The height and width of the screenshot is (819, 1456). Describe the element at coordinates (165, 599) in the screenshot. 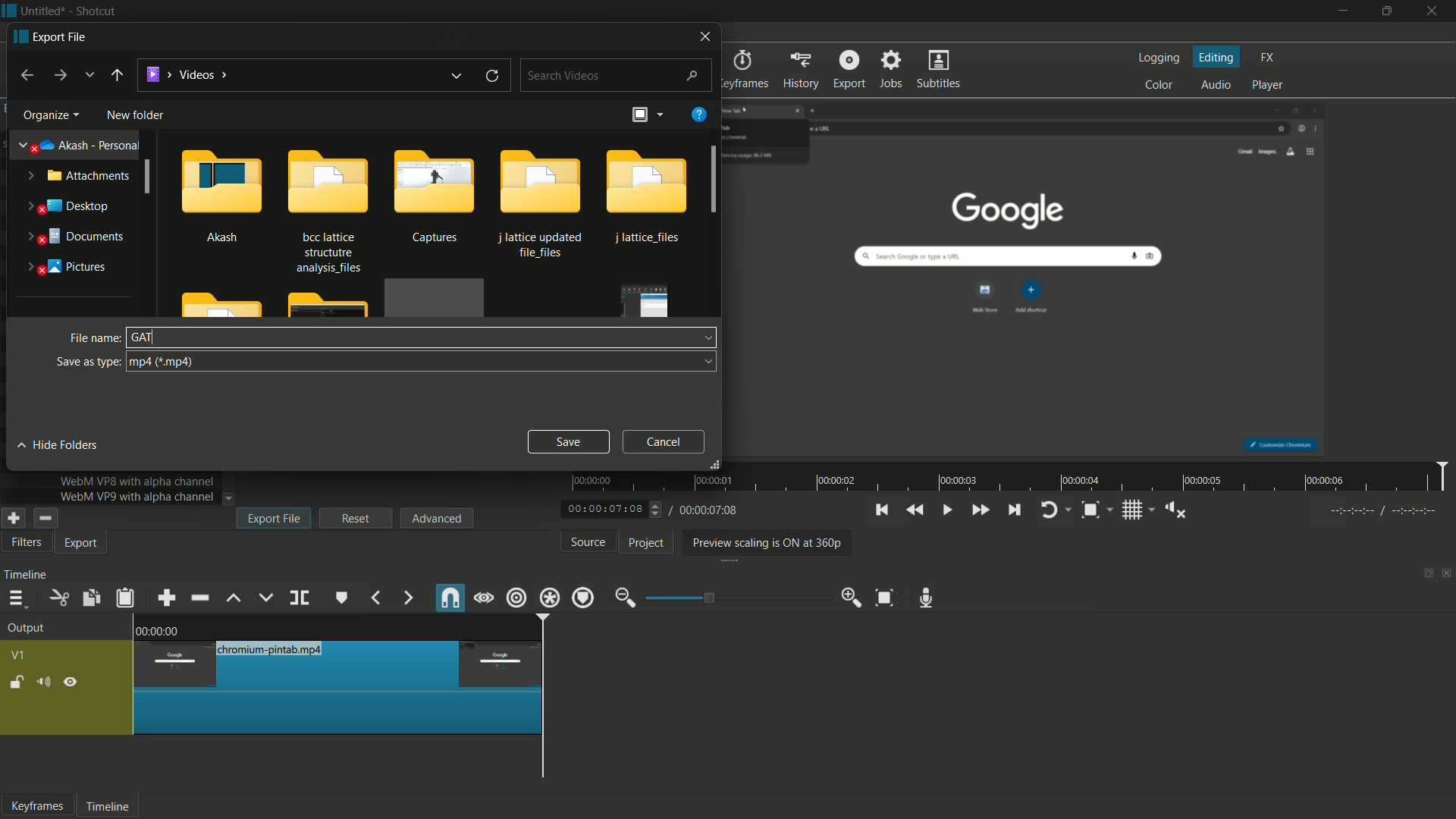

I see `append` at that location.